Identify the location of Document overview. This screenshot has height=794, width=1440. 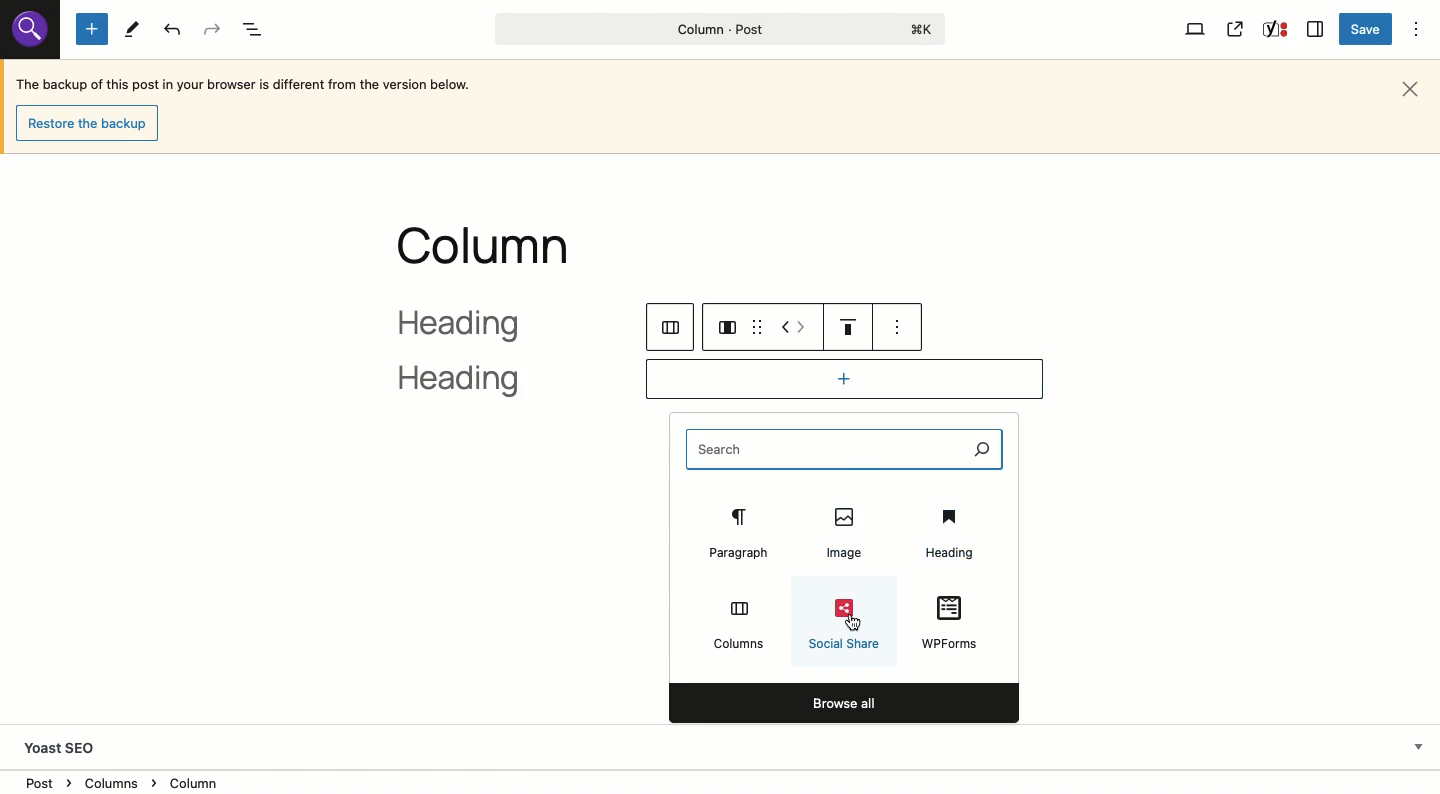
(256, 31).